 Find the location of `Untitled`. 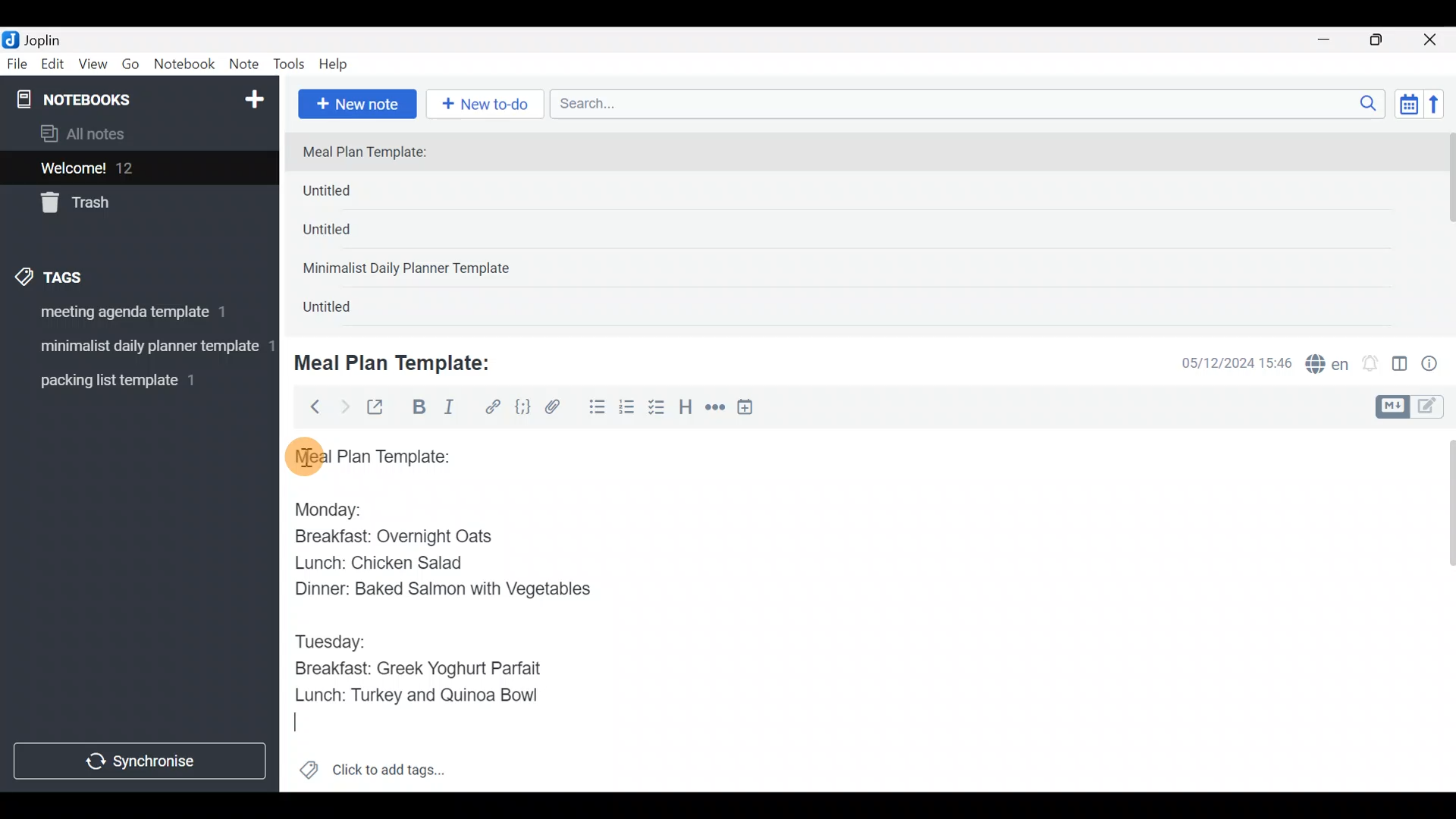

Untitled is located at coordinates (352, 194).